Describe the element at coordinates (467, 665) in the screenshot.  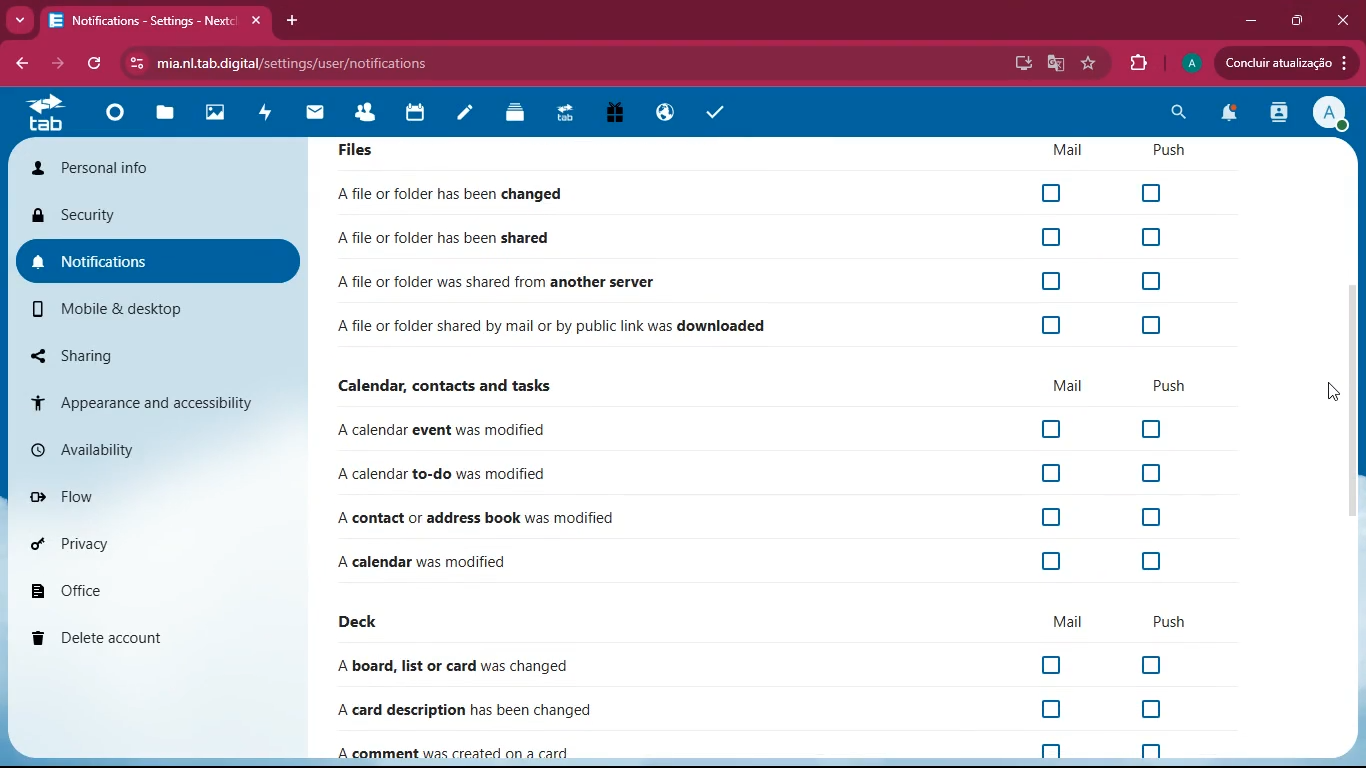
I see `board` at that location.